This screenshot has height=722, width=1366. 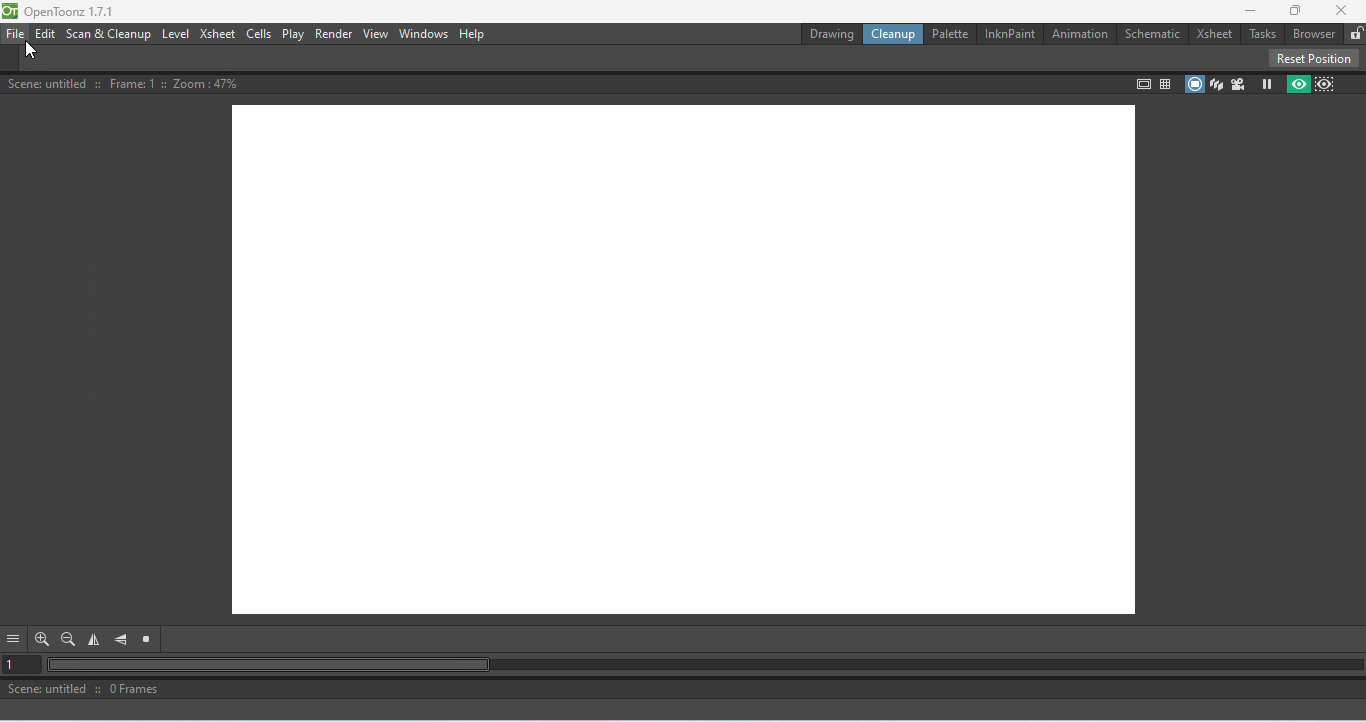 What do you see at coordinates (683, 691) in the screenshot?
I see `Scene: untitled :: 0 Frames` at bounding box center [683, 691].